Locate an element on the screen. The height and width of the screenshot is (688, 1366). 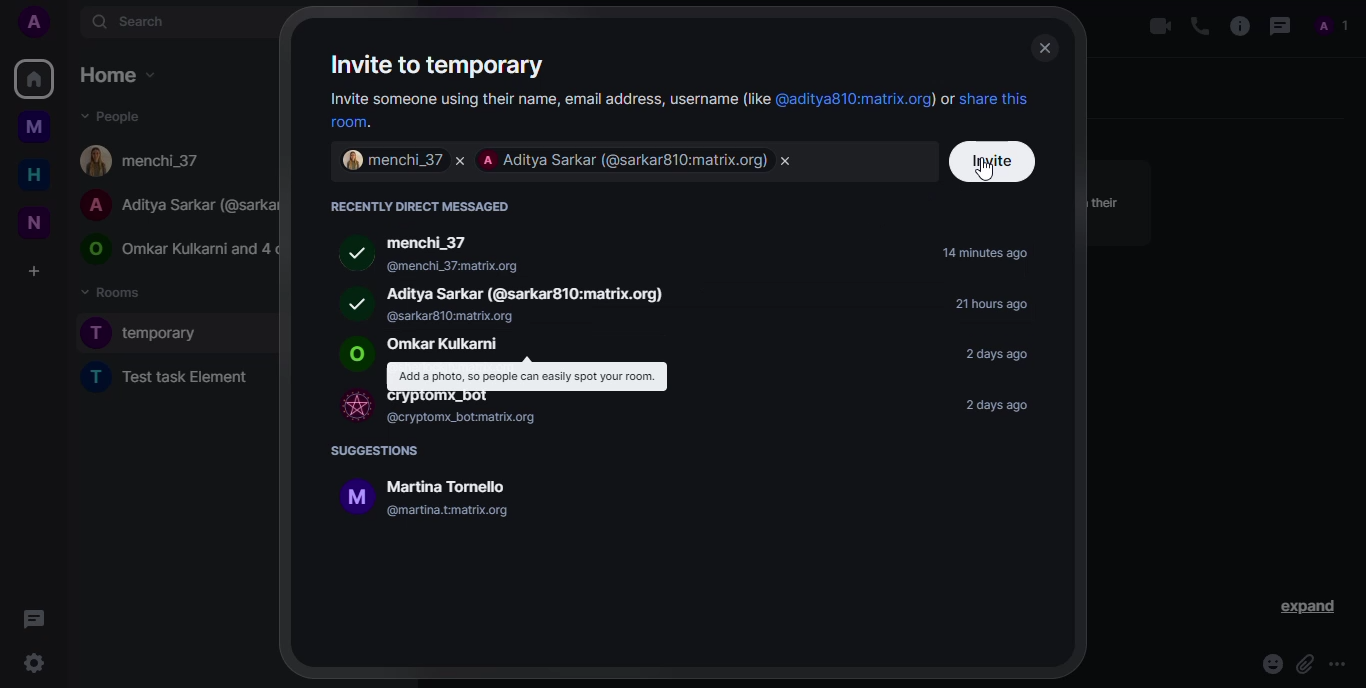
bot is located at coordinates (350, 405).